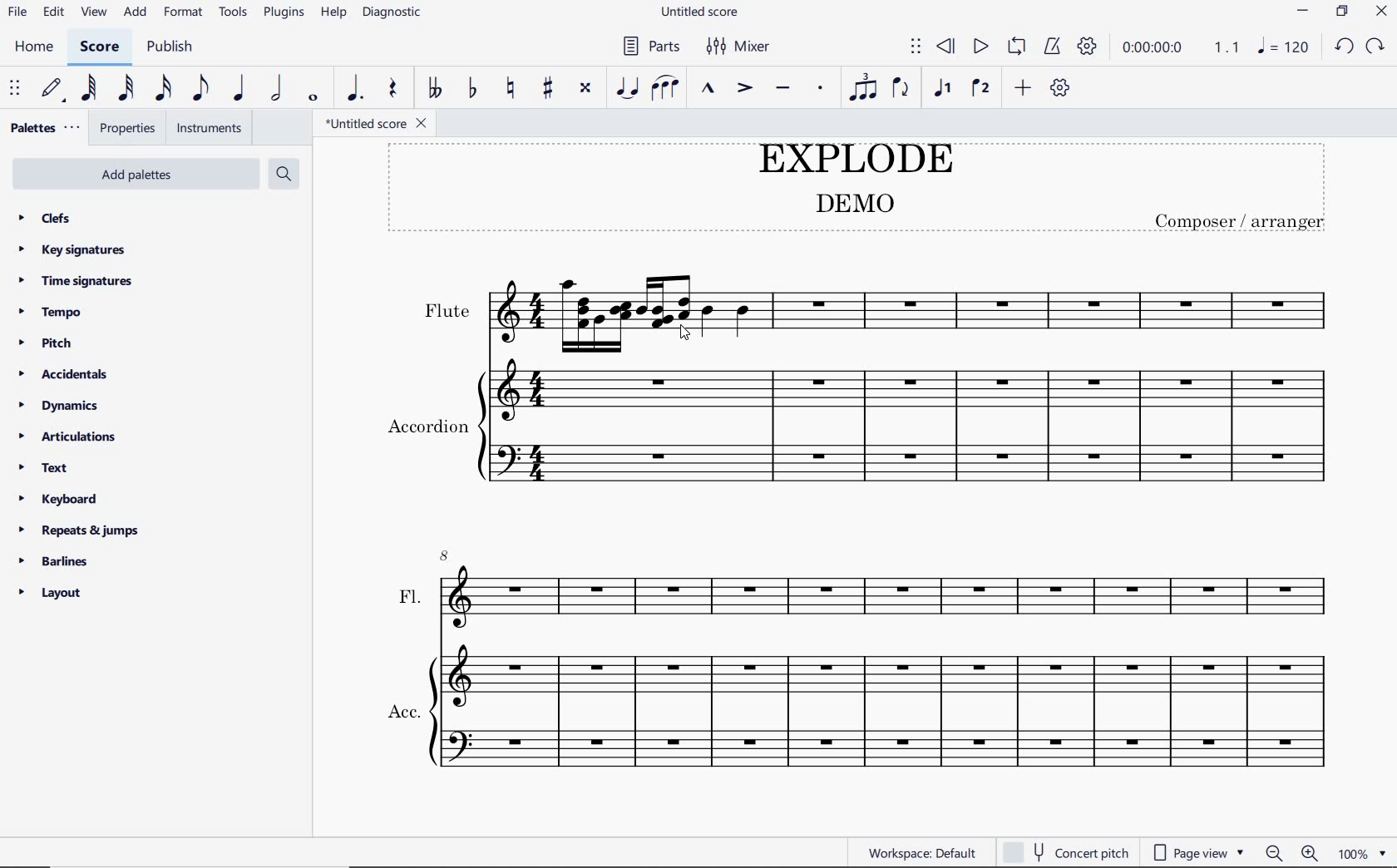 The width and height of the screenshot is (1397, 868). Describe the element at coordinates (53, 12) in the screenshot. I see `edit` at that location.